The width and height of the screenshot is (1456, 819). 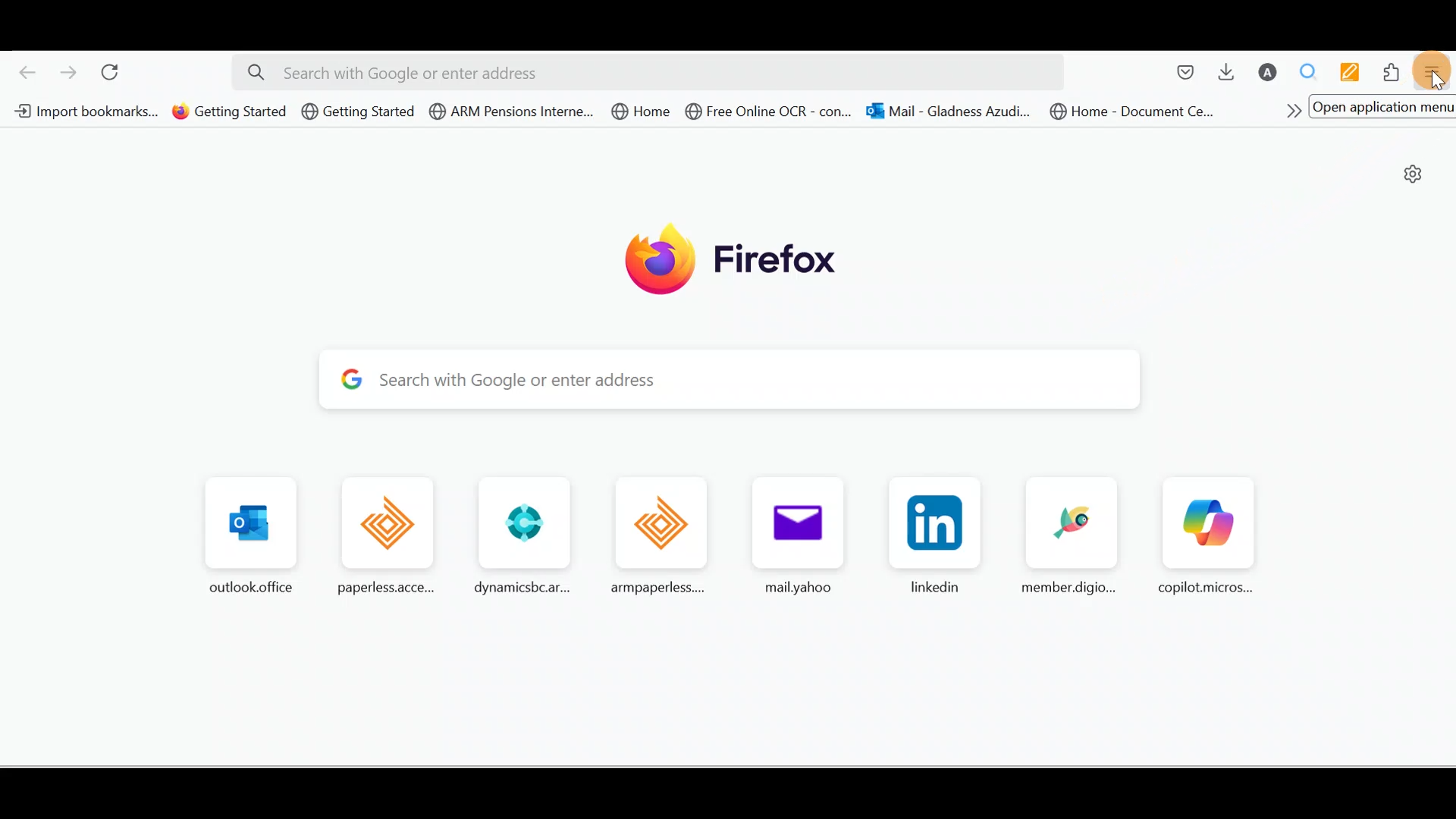 What do you see at coordinates (1231, 75) in the screenshot?
I see `Downloads` at bounding box center [1231, 75].